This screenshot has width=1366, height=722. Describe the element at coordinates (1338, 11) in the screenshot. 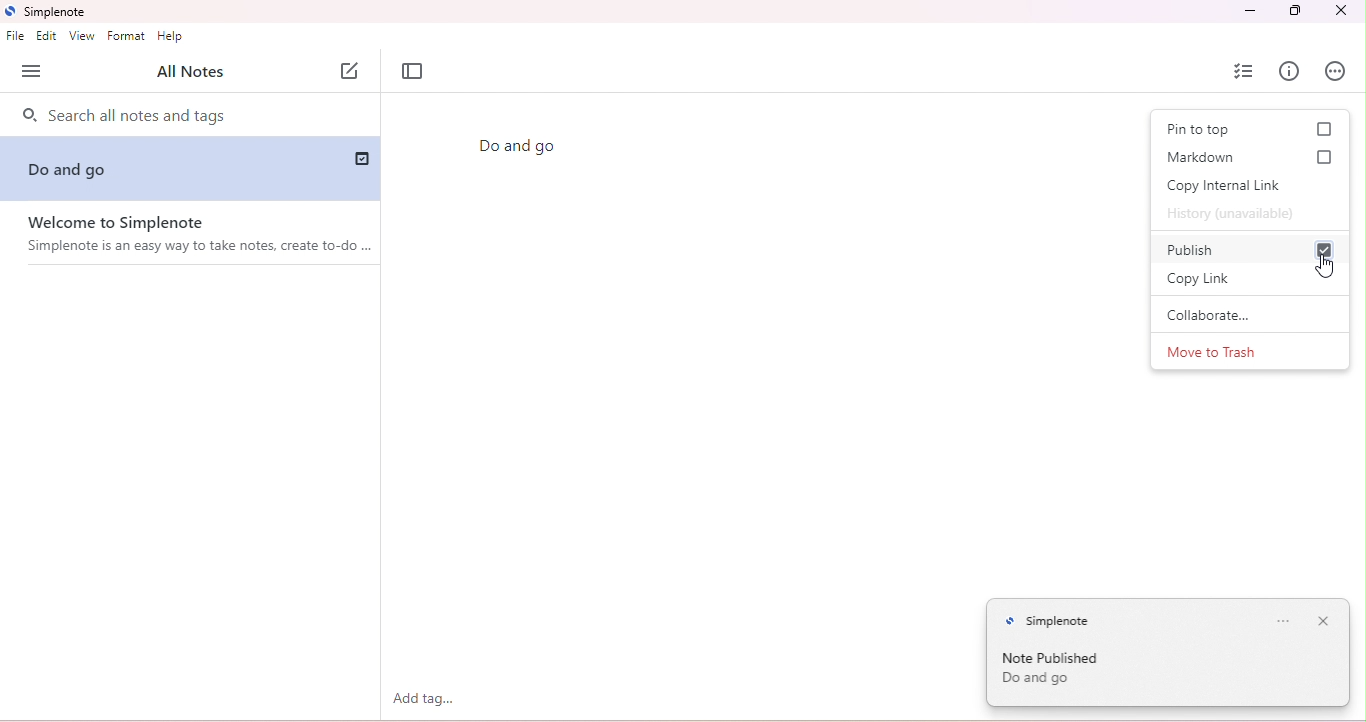

I see `close` at that location.